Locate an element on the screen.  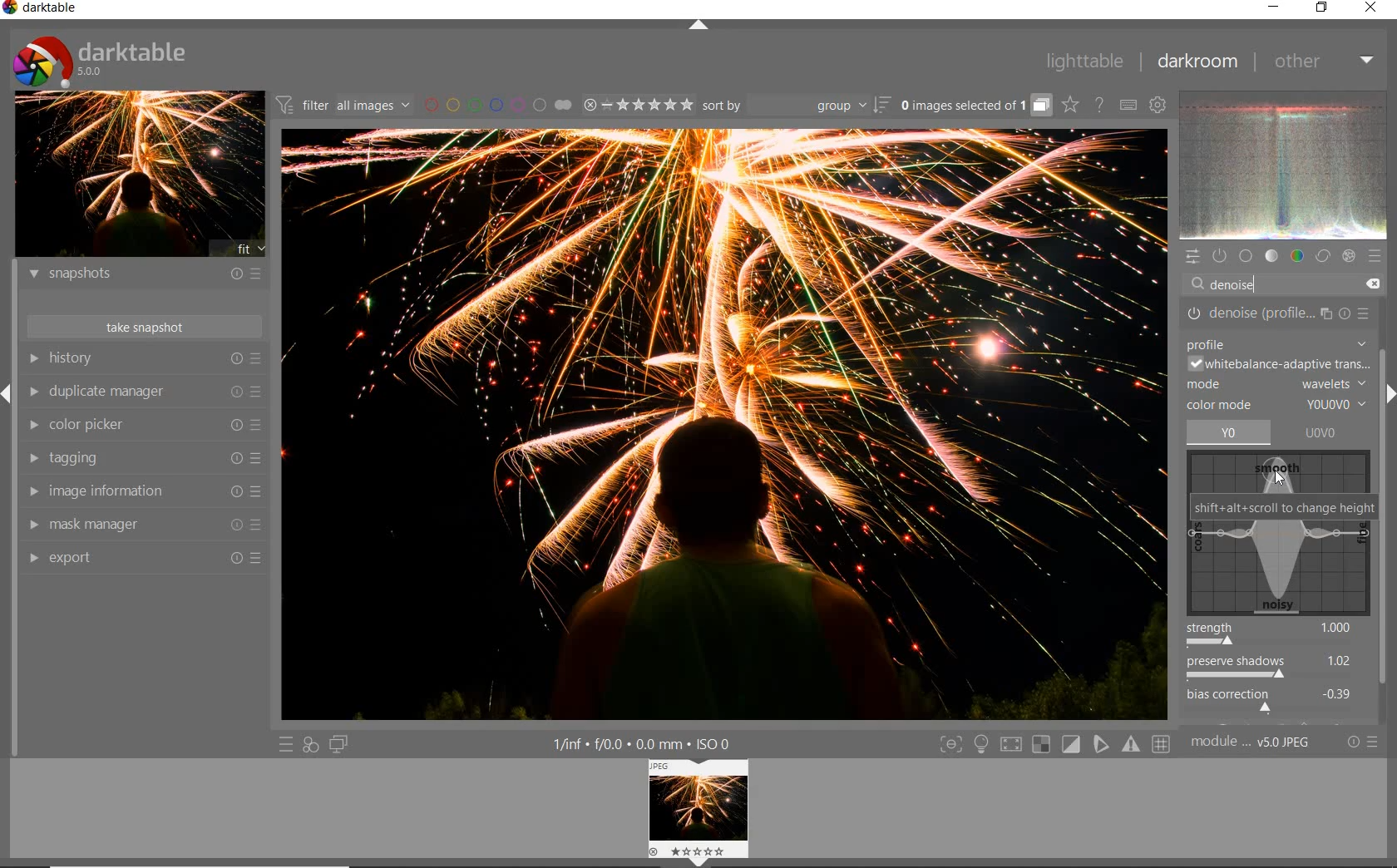
color picker is located at coordinates (143, 427).